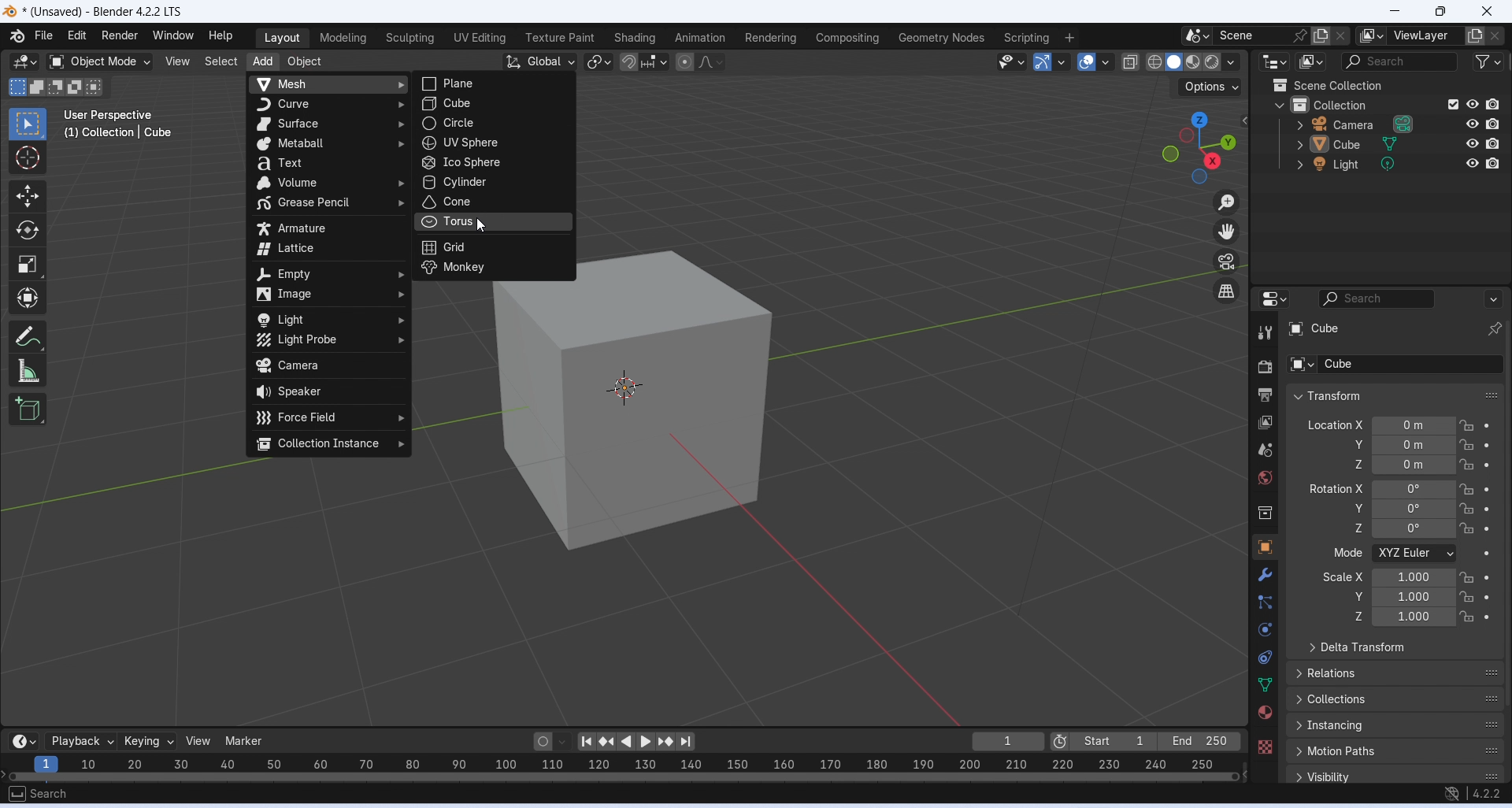 The height and width of the screenshot is (808, 1512). I want to click on Mode, so click(1349, 552).